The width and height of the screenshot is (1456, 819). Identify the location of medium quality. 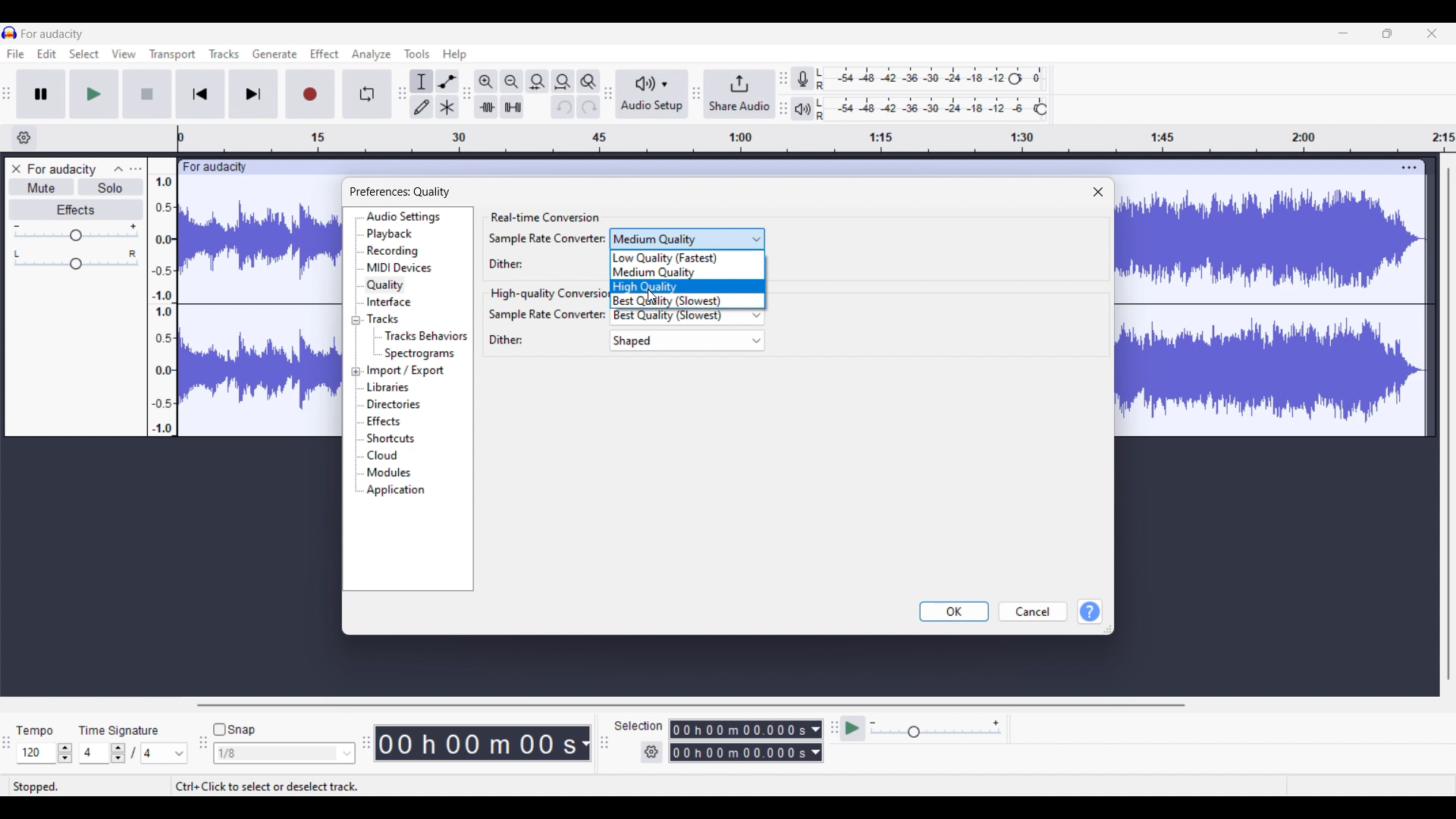
(689, 272).